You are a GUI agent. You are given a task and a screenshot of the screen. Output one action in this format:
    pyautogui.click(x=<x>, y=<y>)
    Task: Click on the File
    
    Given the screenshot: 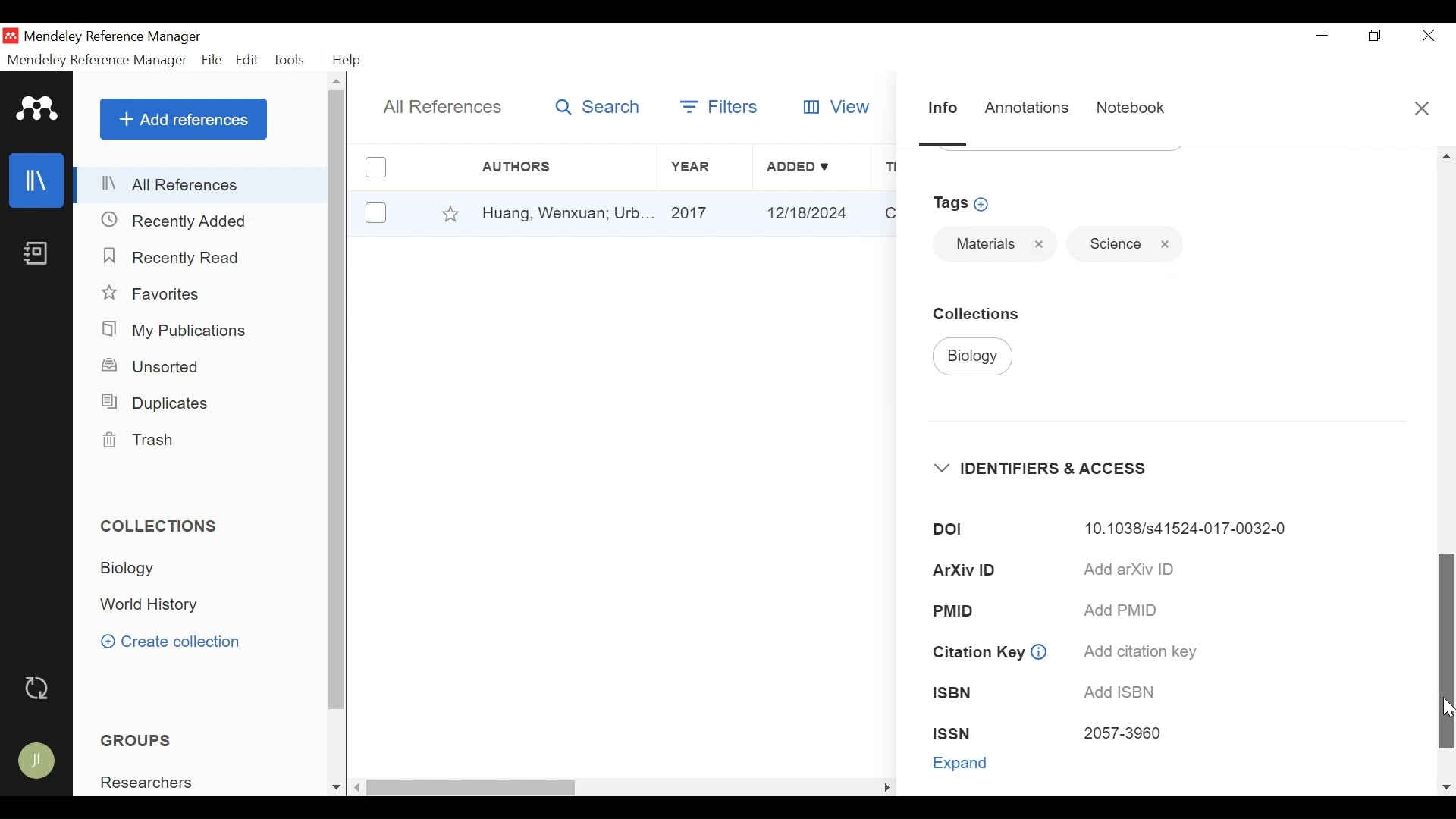 What is the action you would take?
    pyautogui.click(x=212, y=60)
    